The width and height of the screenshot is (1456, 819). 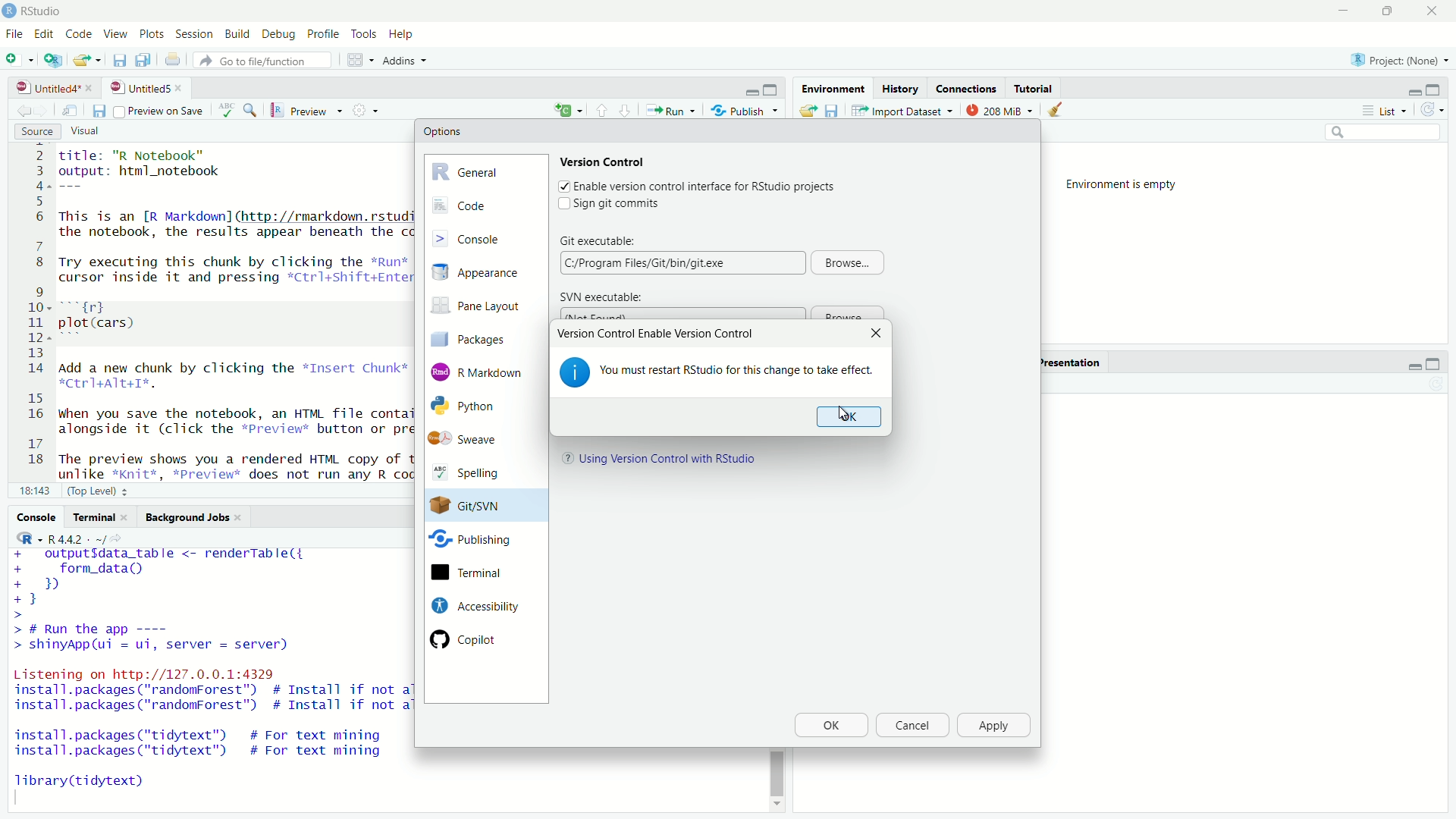 I want to click on view current working directory, so click(x=120, y=538).